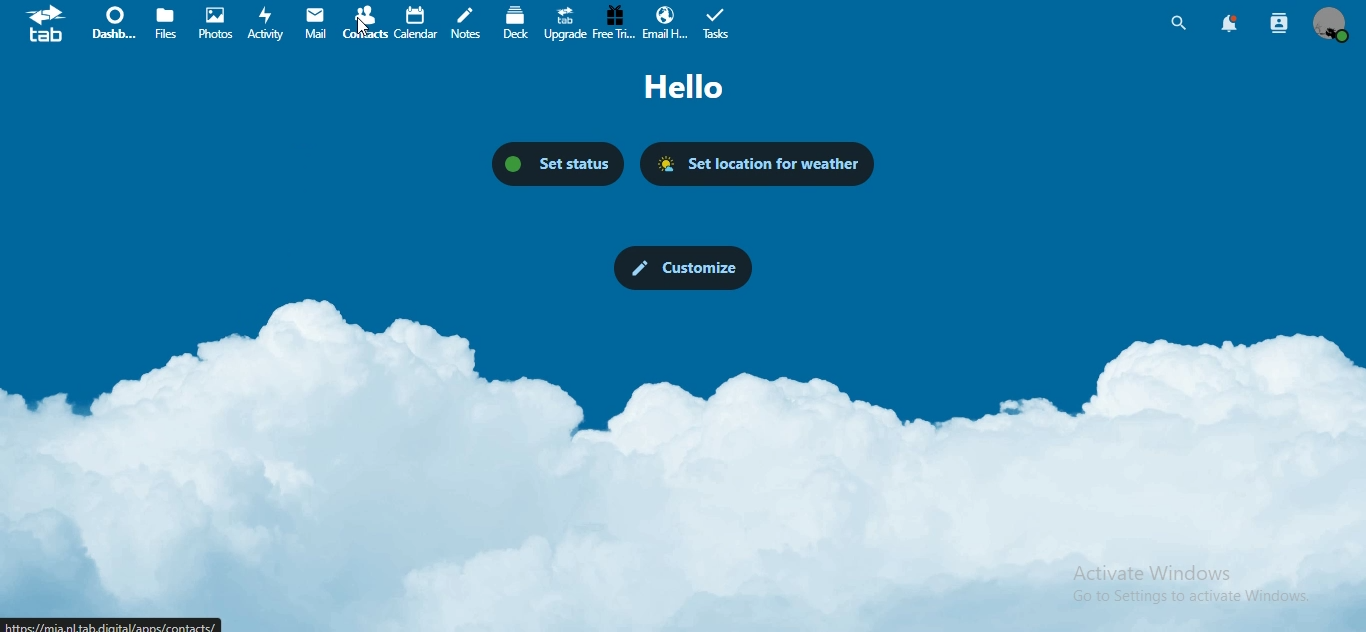 The height and width of the screenshot is (632, 1366). What do you see at coordinates (1280, 24) in the screenshot?
I see `search contact` at bounding box center [1280, 24].